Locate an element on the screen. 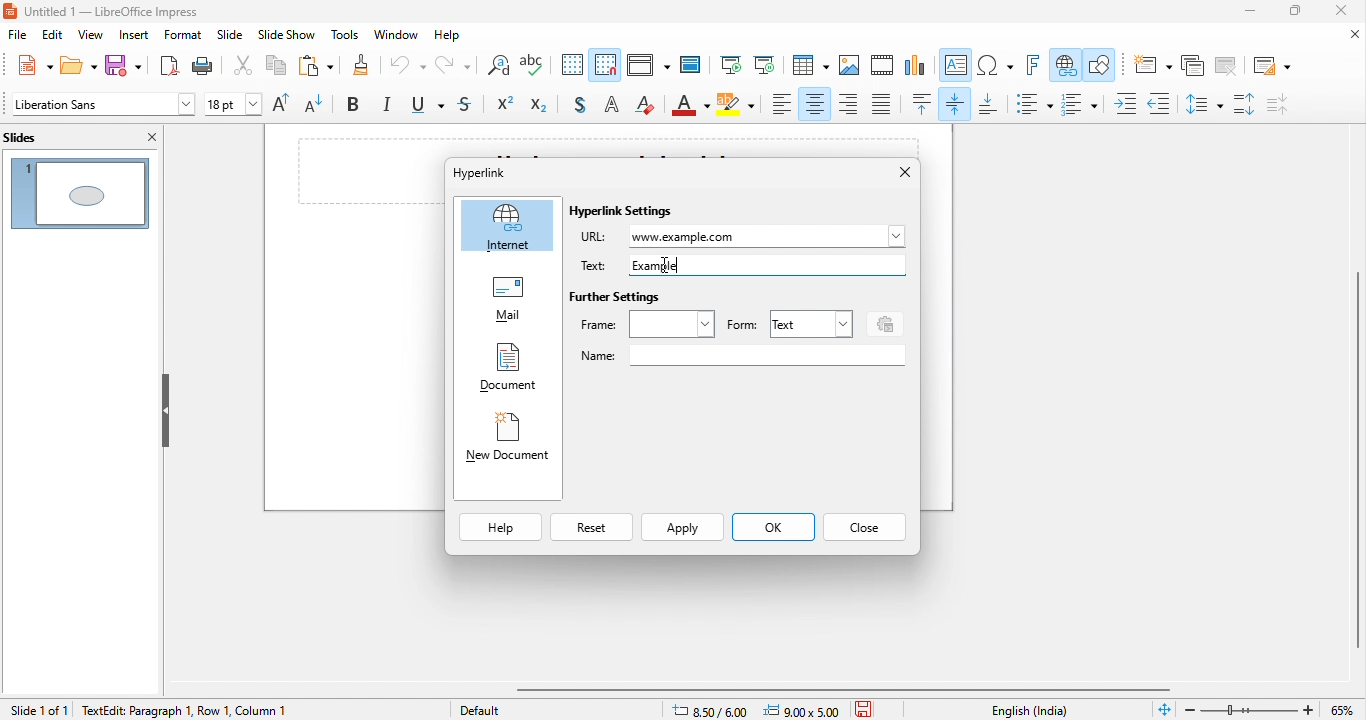 The height and width of the screenshot is (720, 1366). slide layout is located at coordinates (1269, 64).